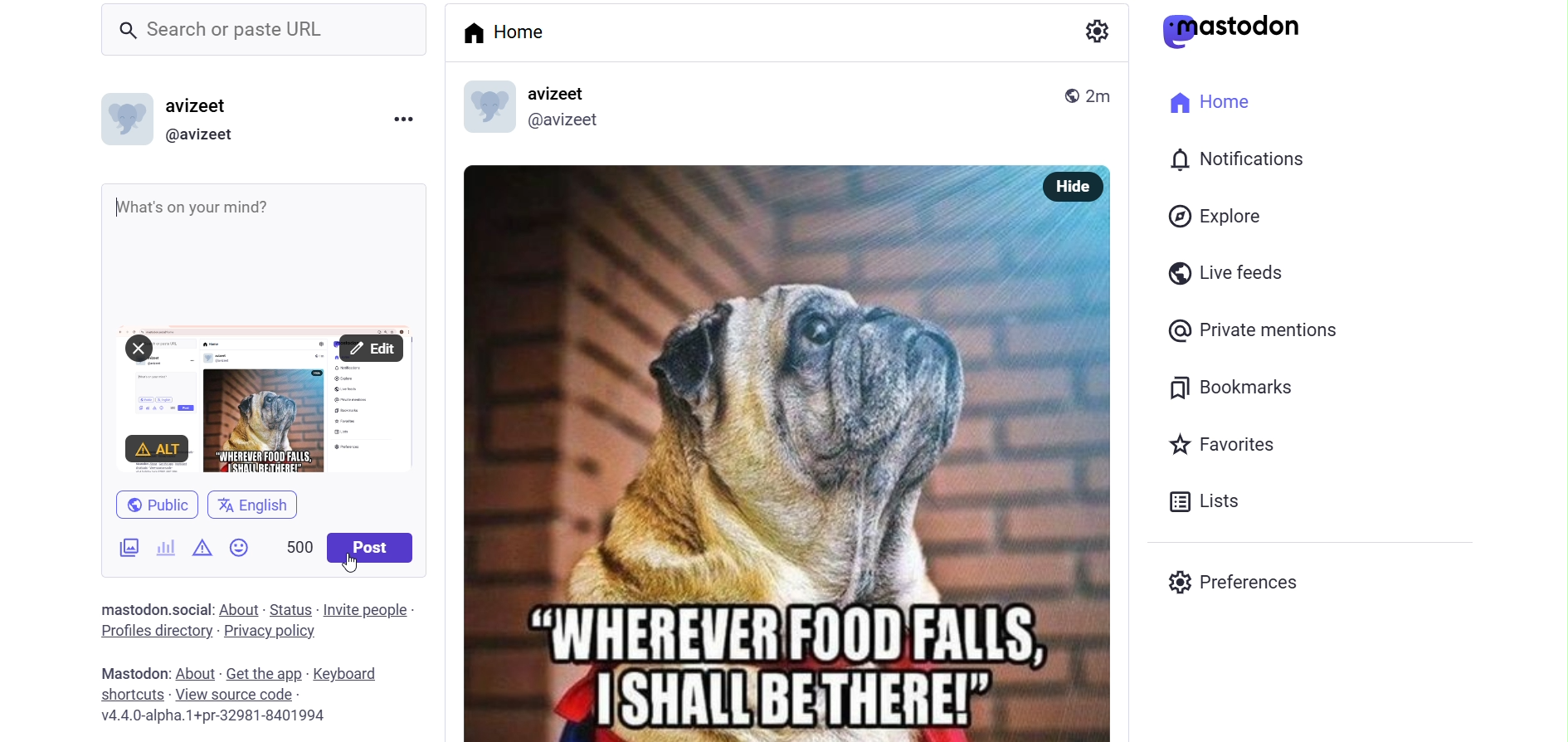 The image size is (1568, 742). What do you see at coordinates (368, 346) in the screenshot?
I see `Edit` at bounding box center [368, 346].